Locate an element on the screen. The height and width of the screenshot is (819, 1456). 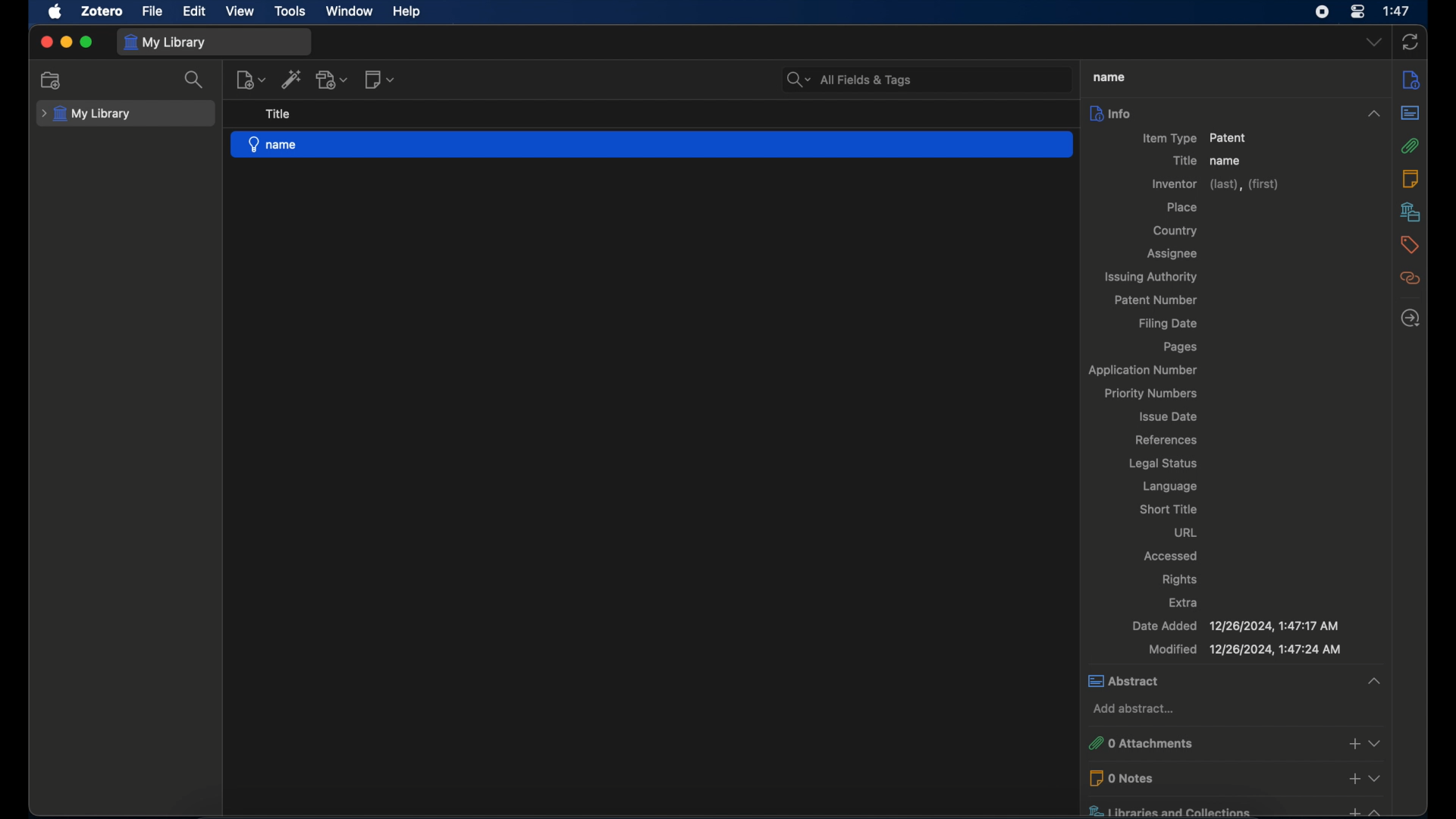
search is located at coordinates (194, 81).